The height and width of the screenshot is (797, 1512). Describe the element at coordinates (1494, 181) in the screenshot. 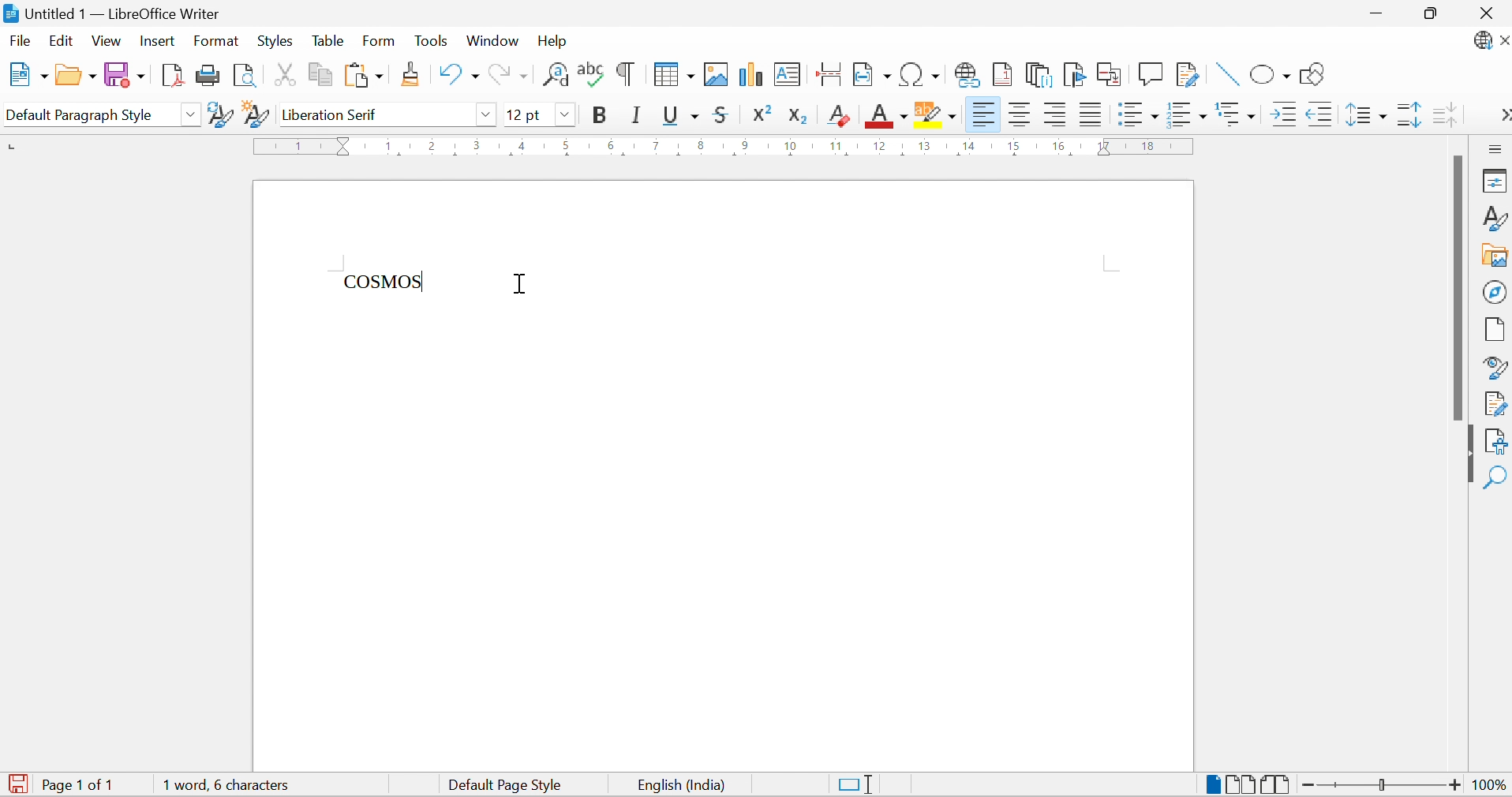

I see `Properties` at that location.